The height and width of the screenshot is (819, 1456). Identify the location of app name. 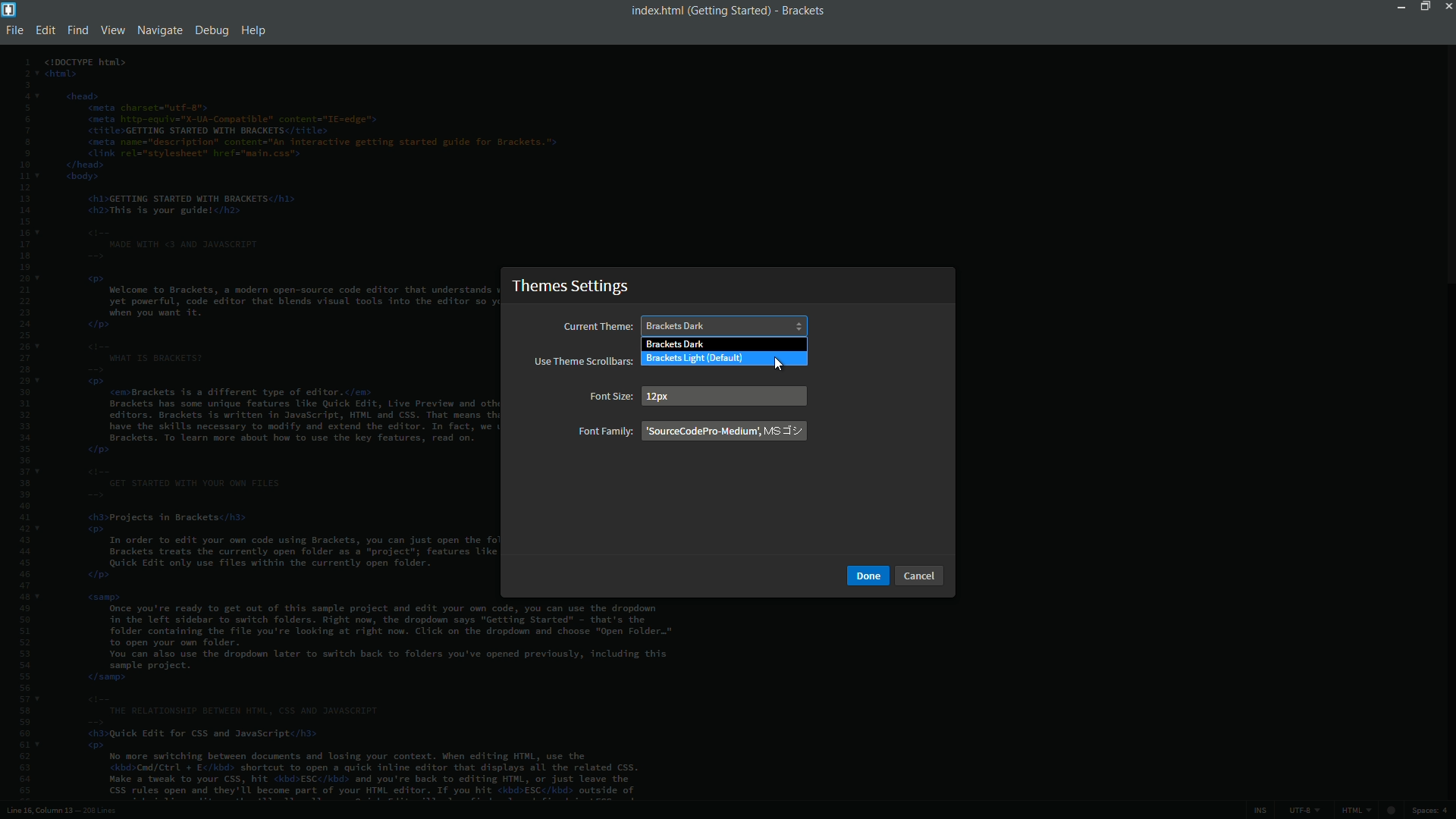
(804, 11).